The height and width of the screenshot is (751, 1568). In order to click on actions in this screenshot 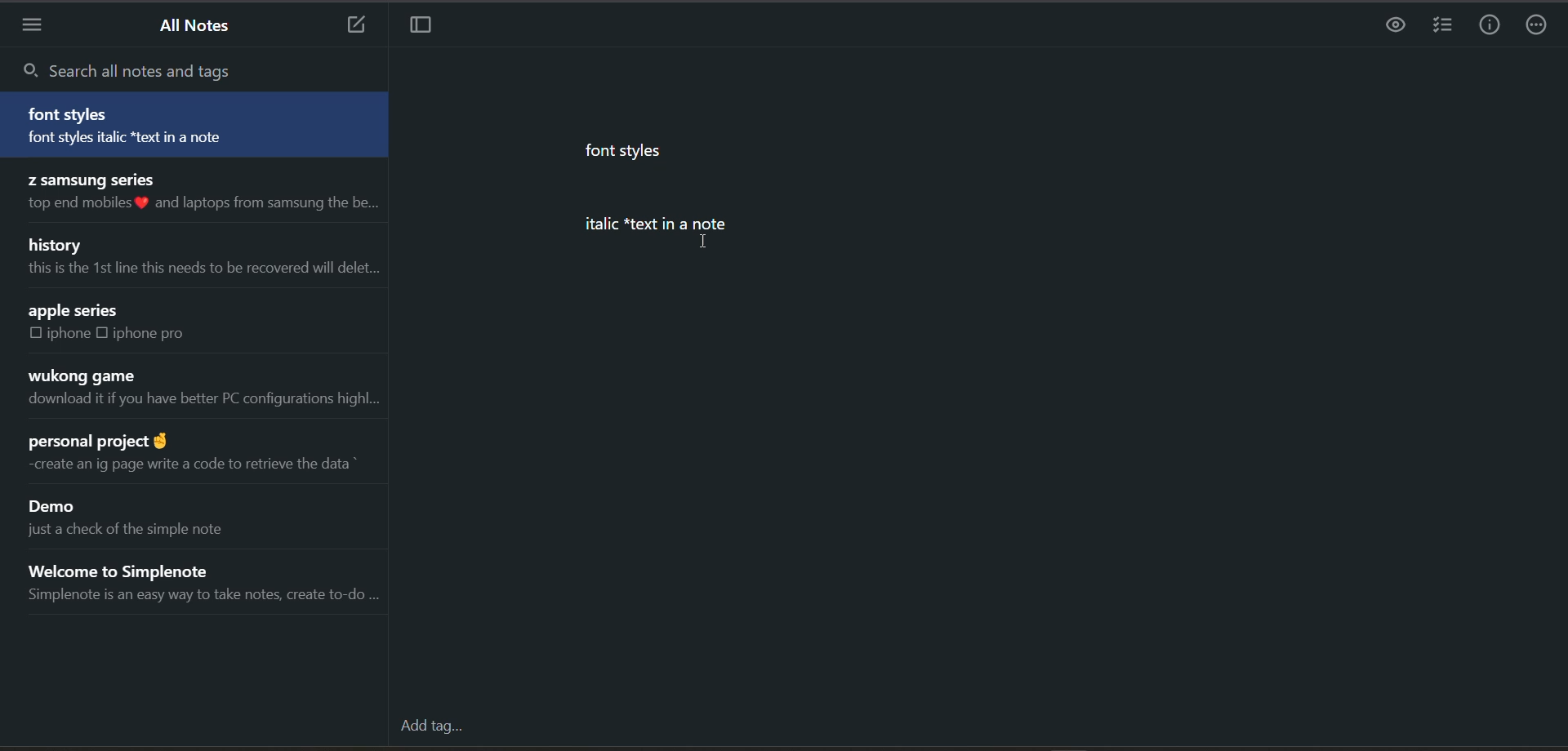, I will do `click(1541, 23)`.